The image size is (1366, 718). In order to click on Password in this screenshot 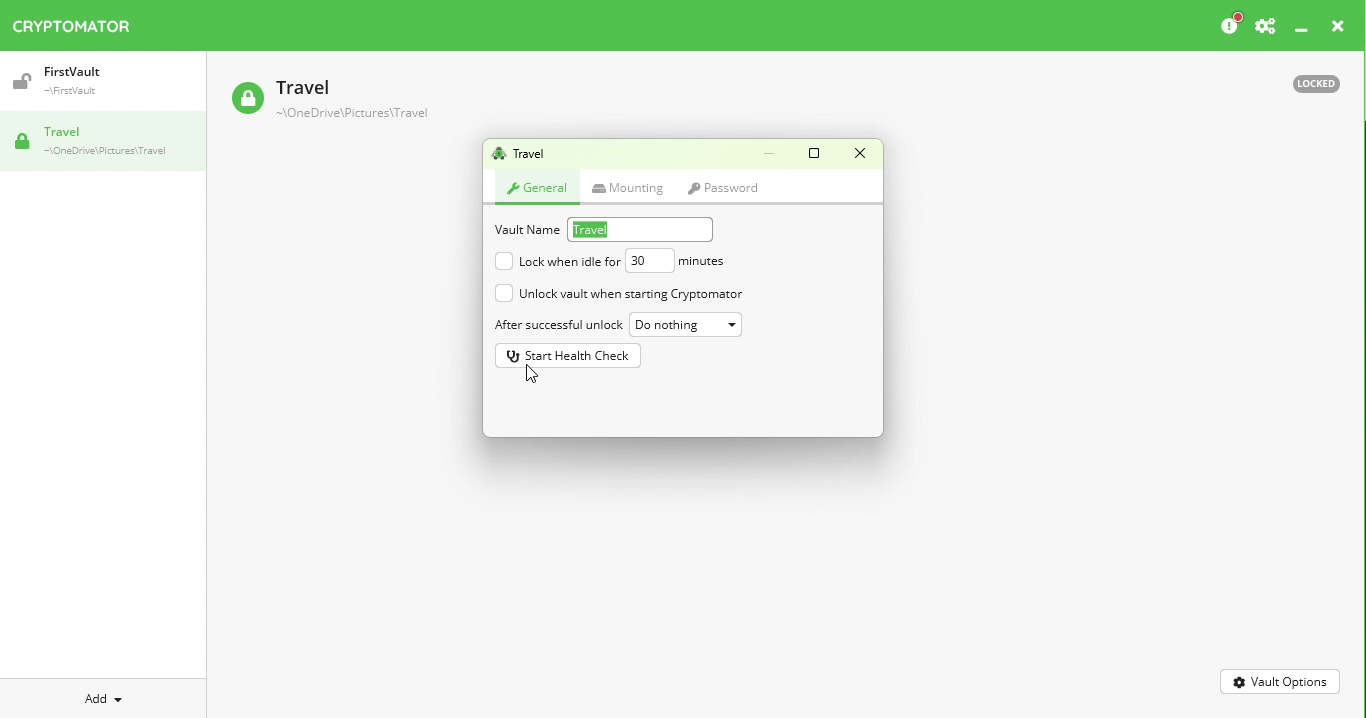, I will do `click(726, 189)`.